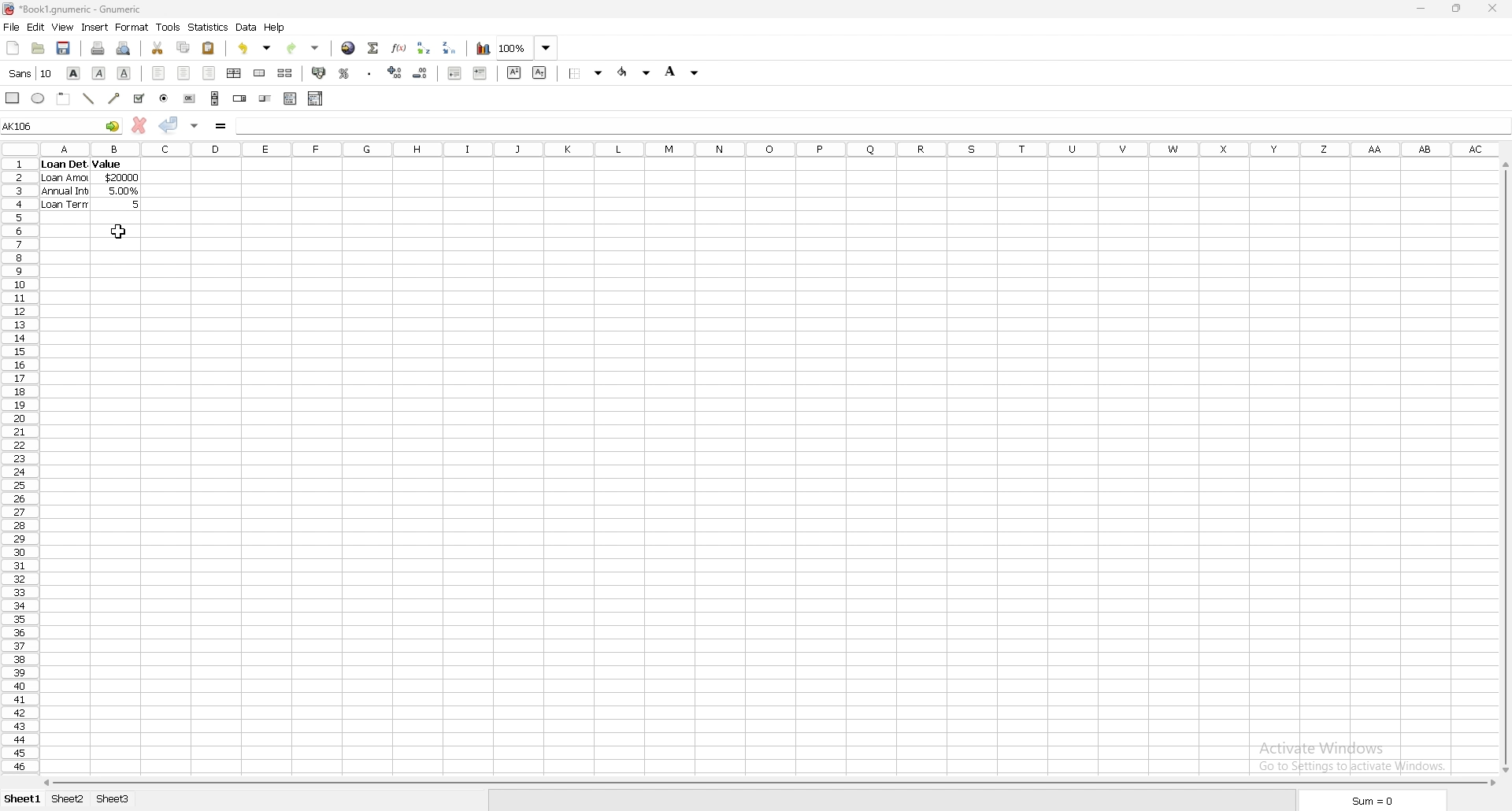  What do you see at coordinates (484, 49) in the screenshot?
I see `chart` at bounding box center [484, 49].